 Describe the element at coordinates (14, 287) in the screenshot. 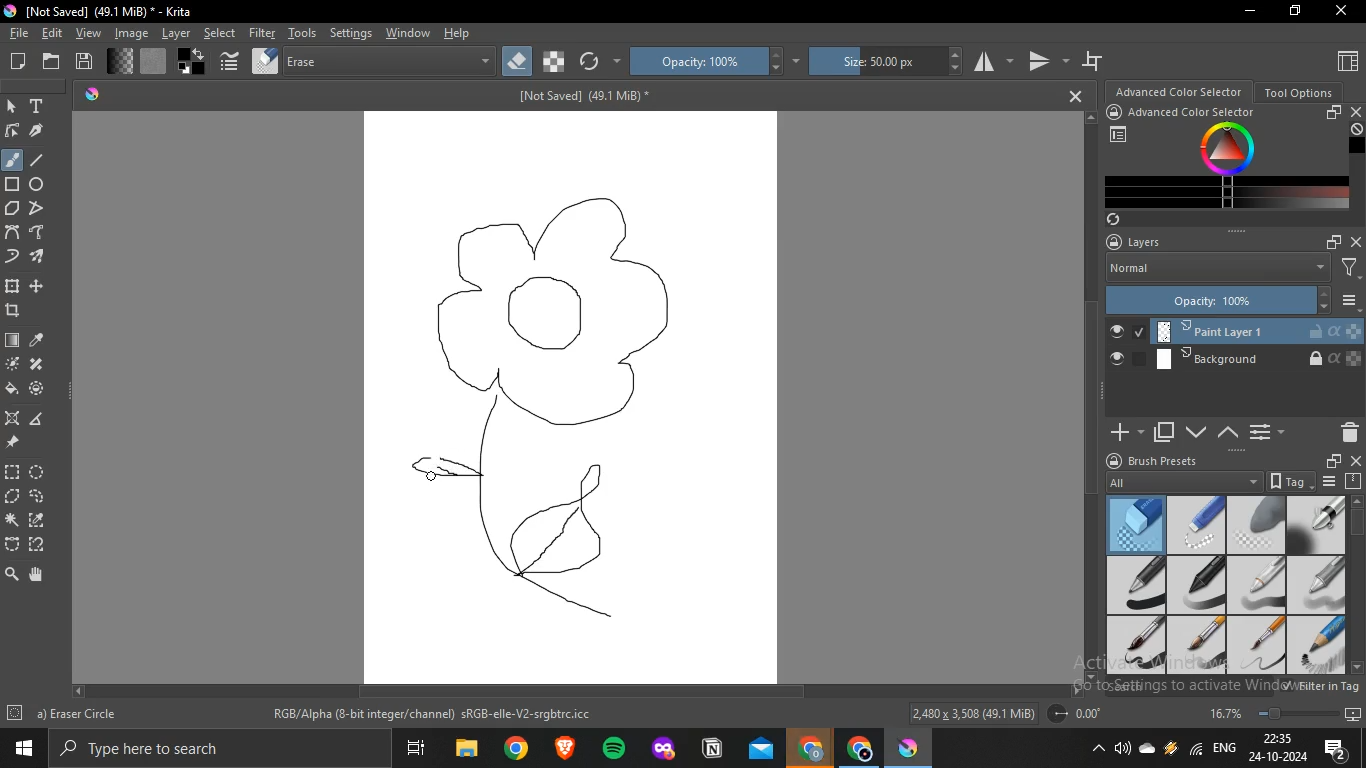

I see `transform layer` at that location.